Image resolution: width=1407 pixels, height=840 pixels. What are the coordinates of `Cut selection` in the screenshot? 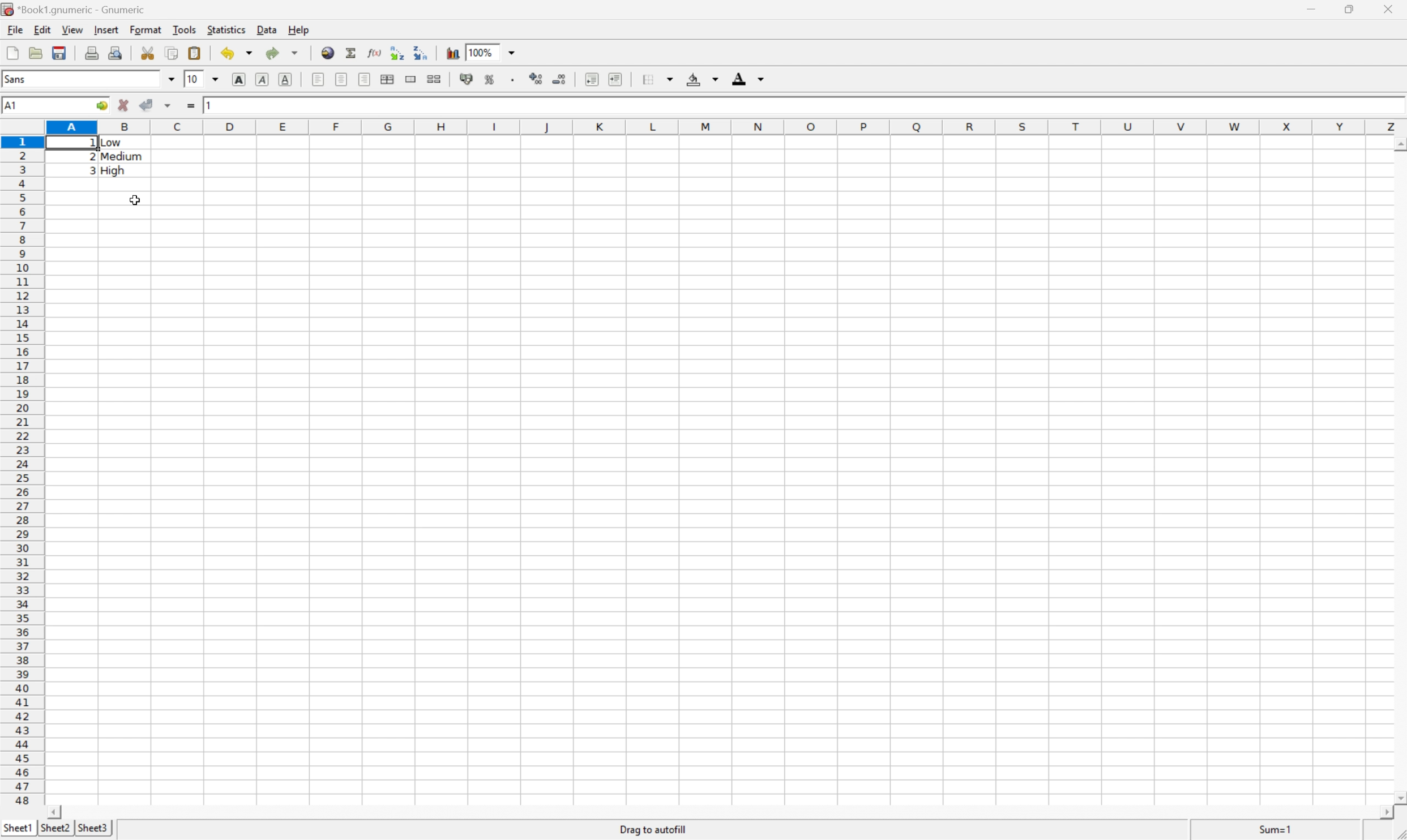 It's located at (148, 53).